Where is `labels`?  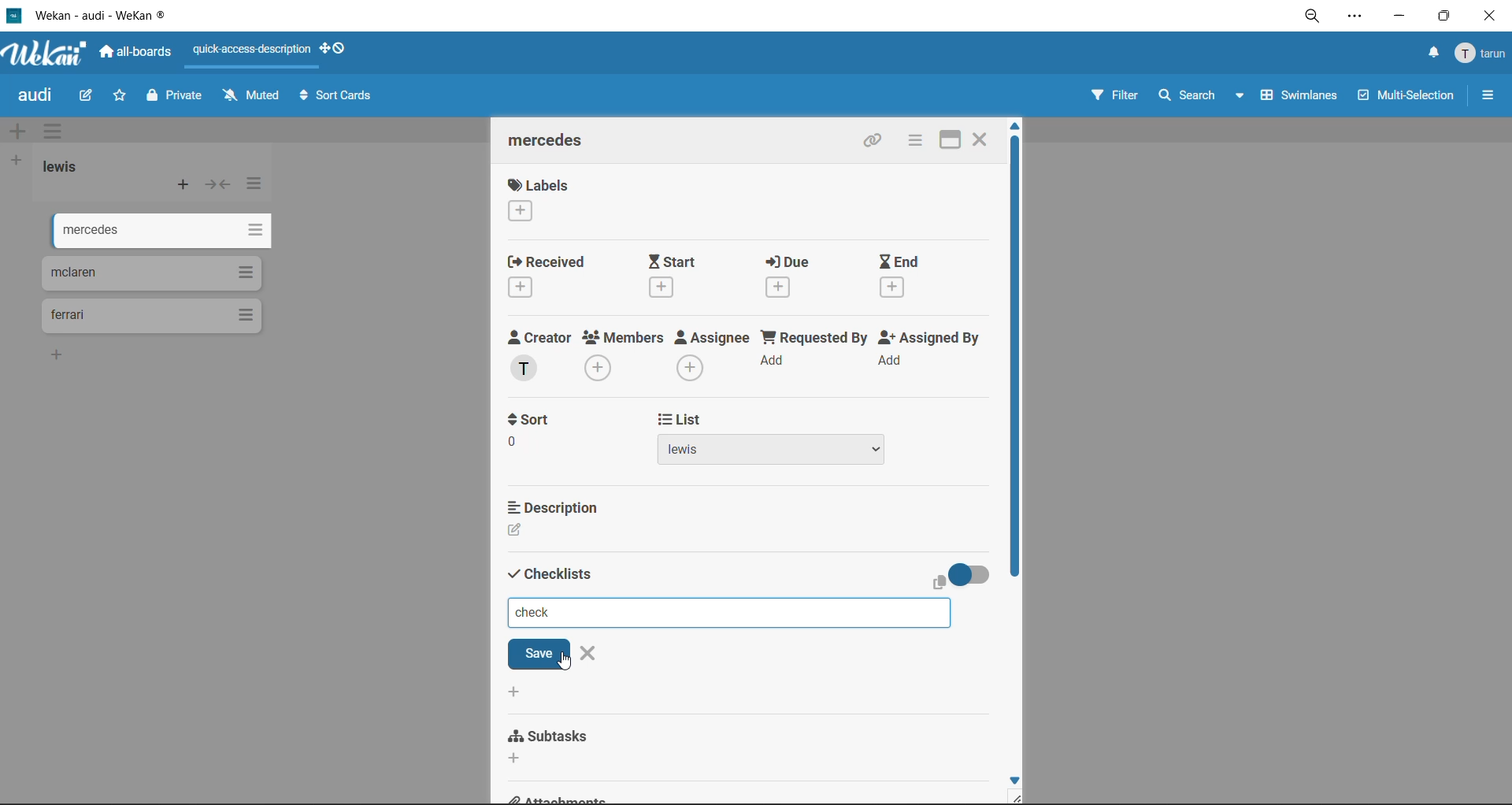 labels is located at coordinates (538, 202).